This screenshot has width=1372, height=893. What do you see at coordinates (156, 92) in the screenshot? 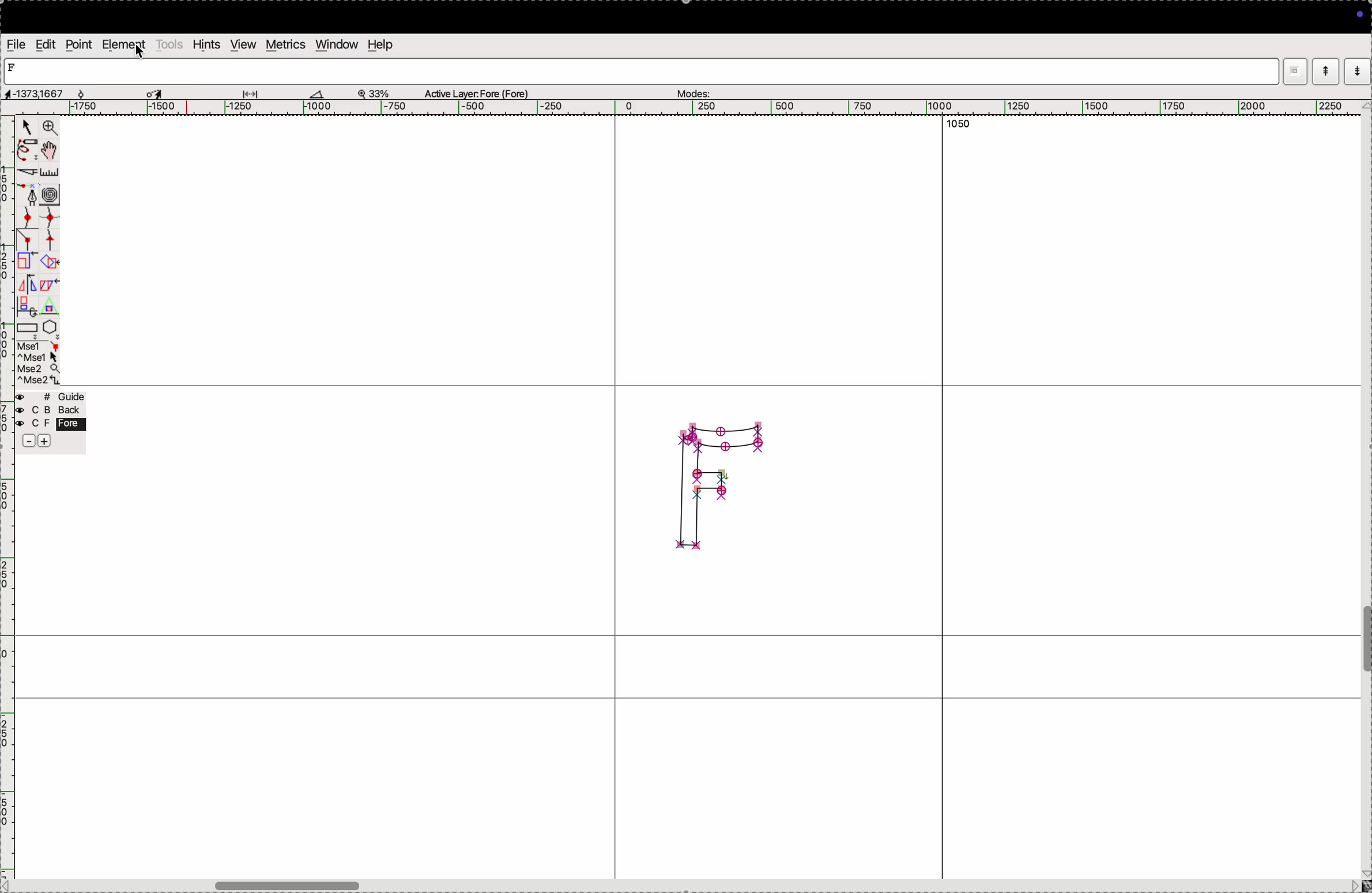
I see `cursor selected` at bounding box center [156, 92].